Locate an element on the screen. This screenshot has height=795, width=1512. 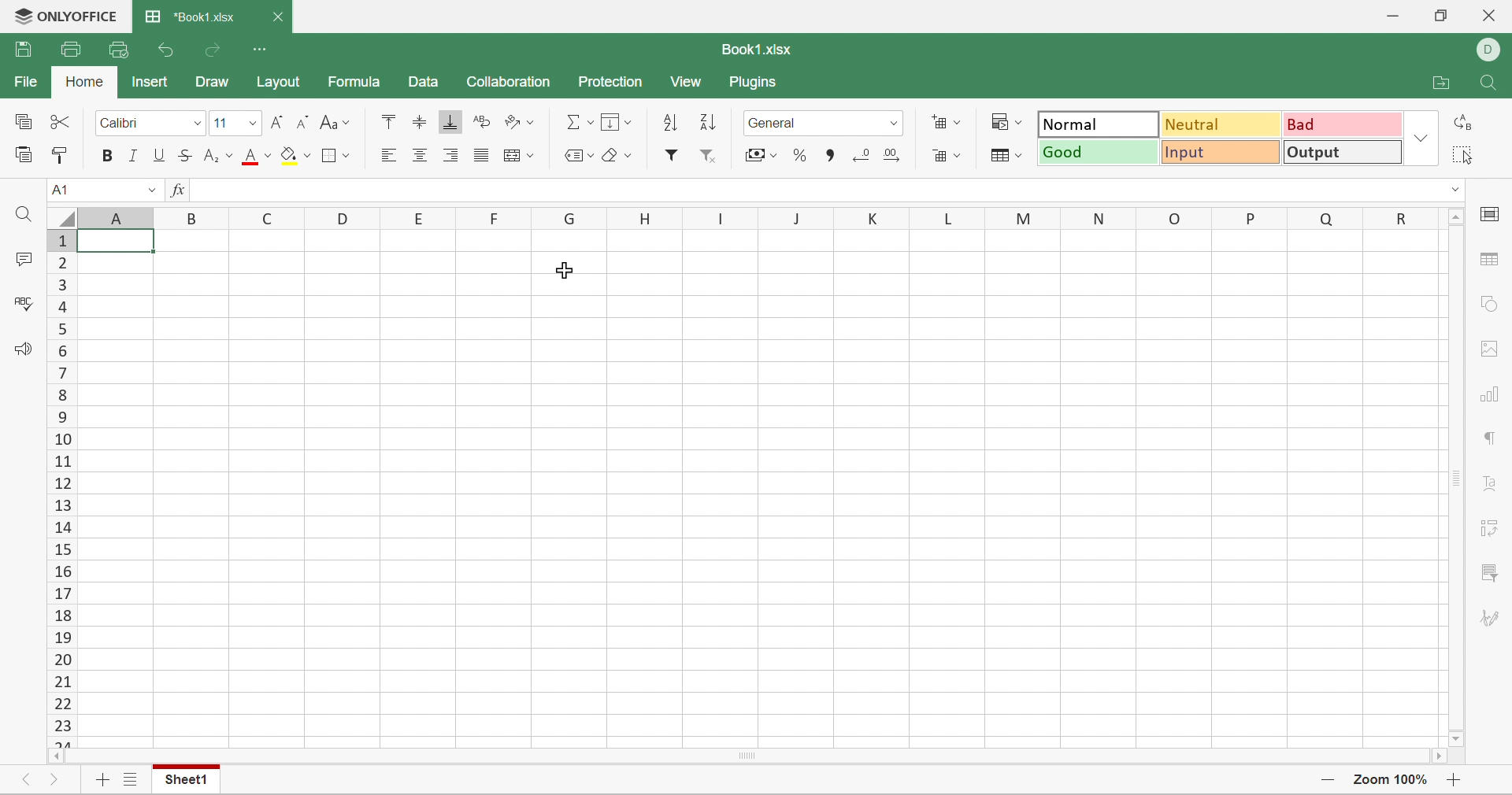
Scroll right is located at coordinates (1435, 755).